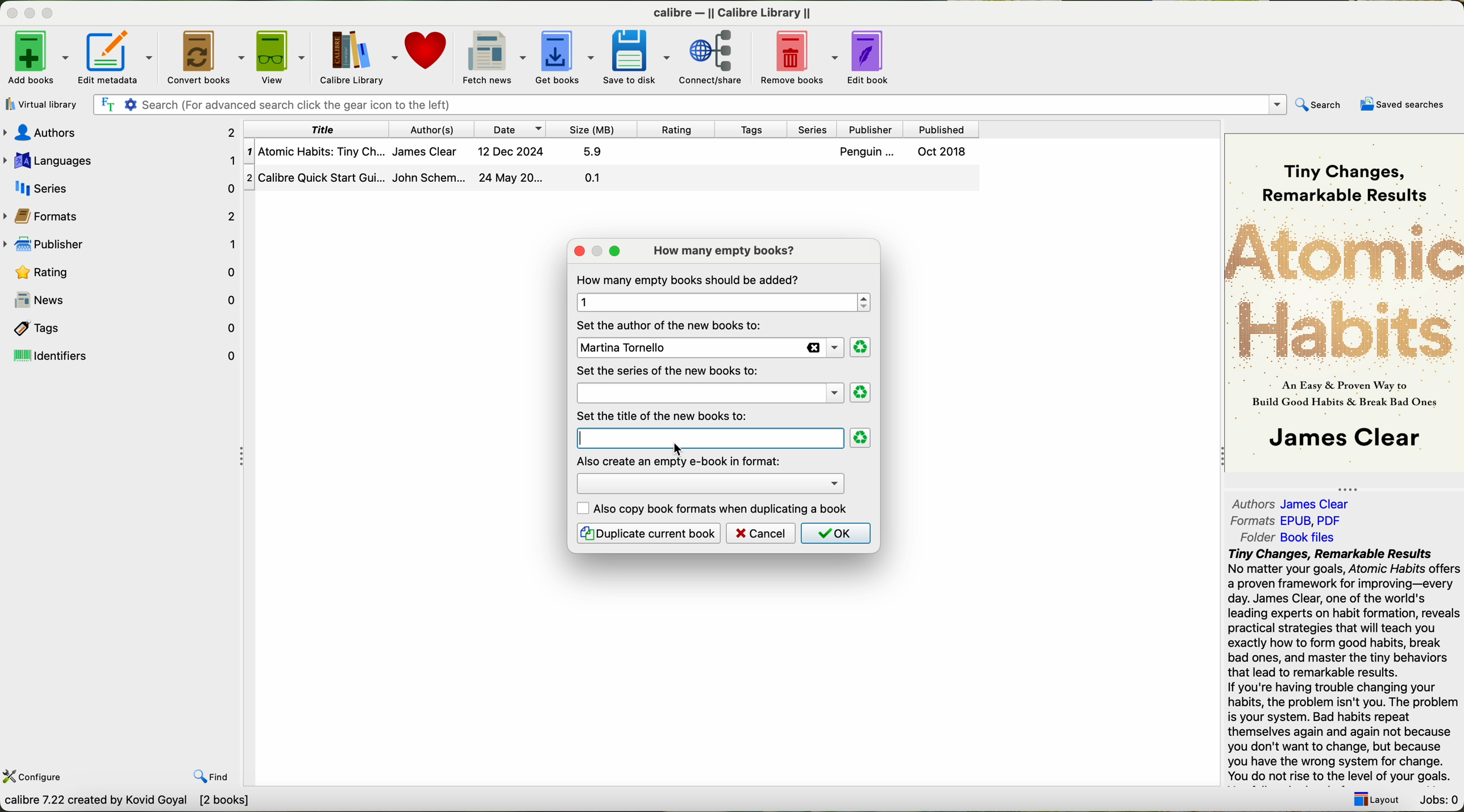 The height and width of the screenshot is (812, 1464). Describe the element at coordinates (493, 56) in the screenshot. I see `fetch news` at that location.